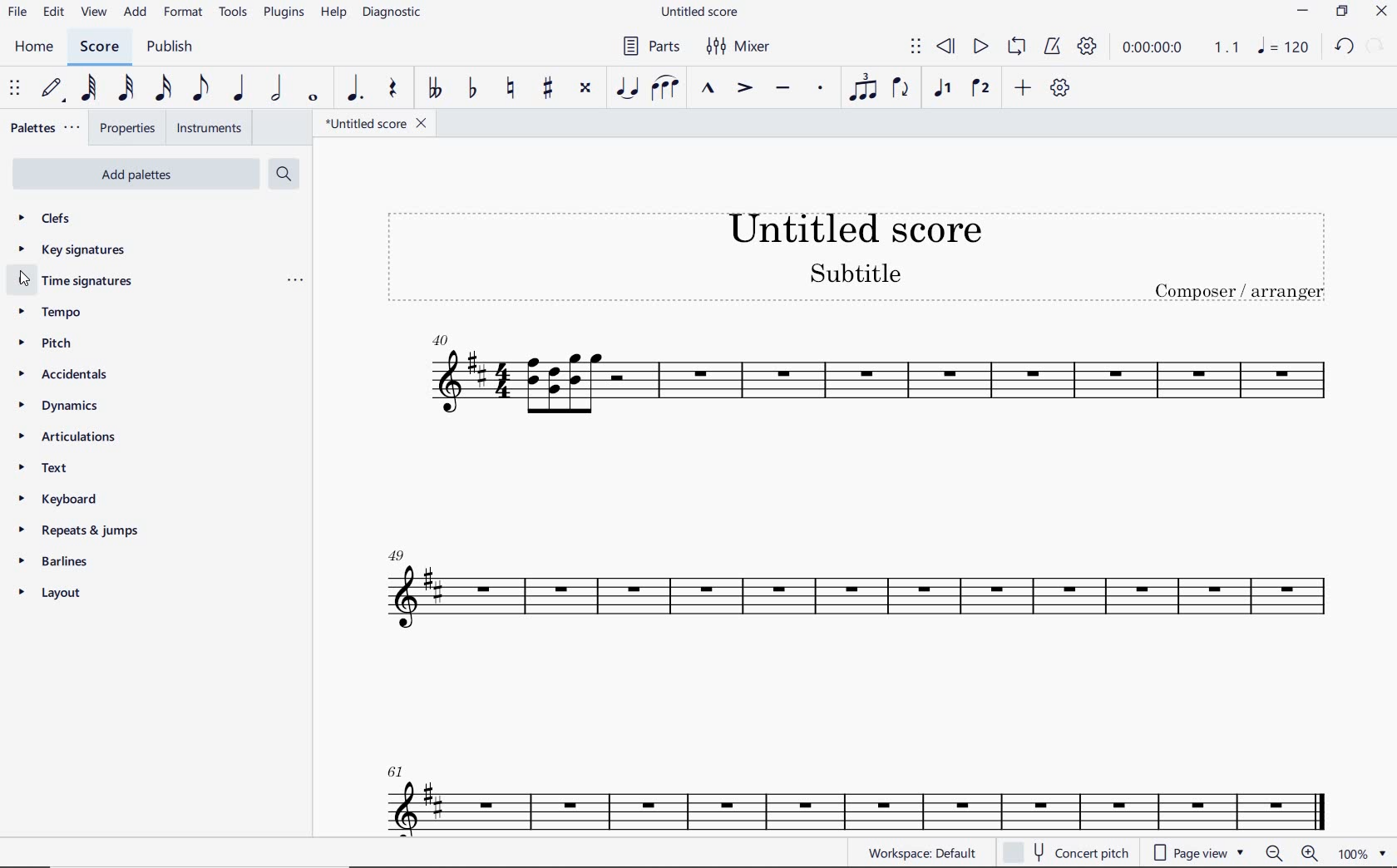 The image size is (1397, 868). I want to click on PITCH, so click(46, 343).